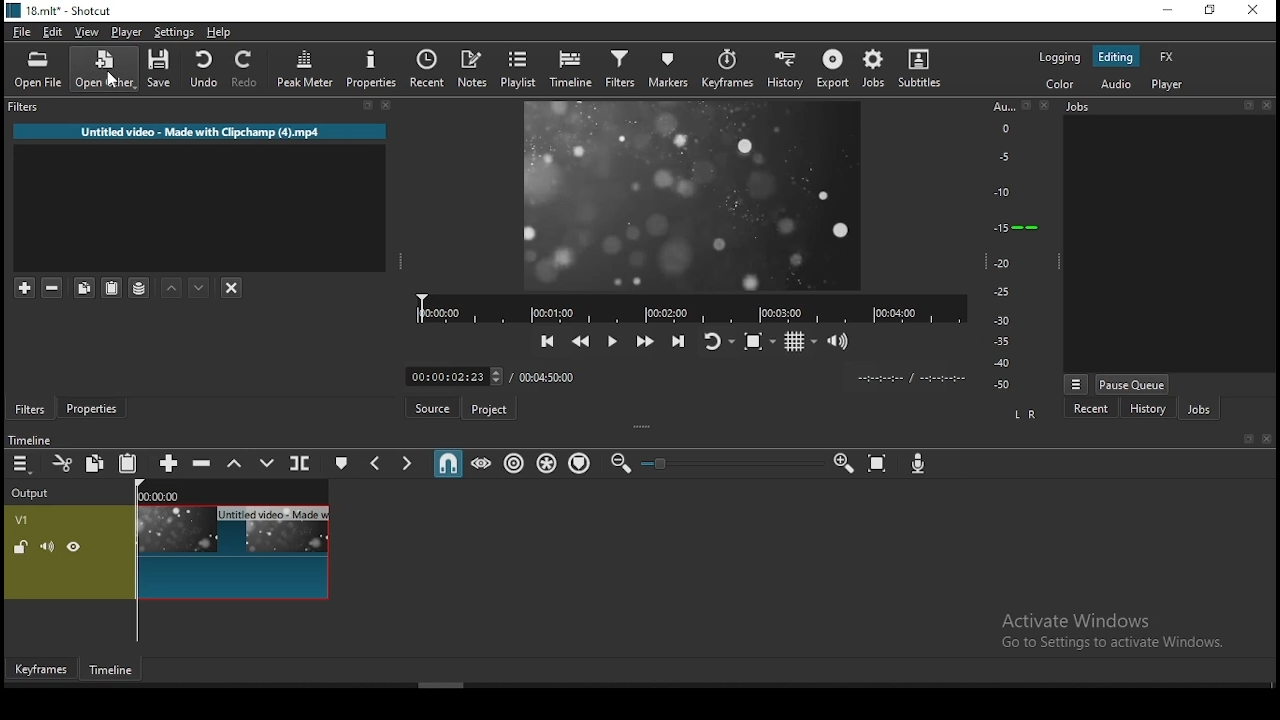 This screenshot has width=1280, height=720. I want to click on skip to next point, so click(676, 340).